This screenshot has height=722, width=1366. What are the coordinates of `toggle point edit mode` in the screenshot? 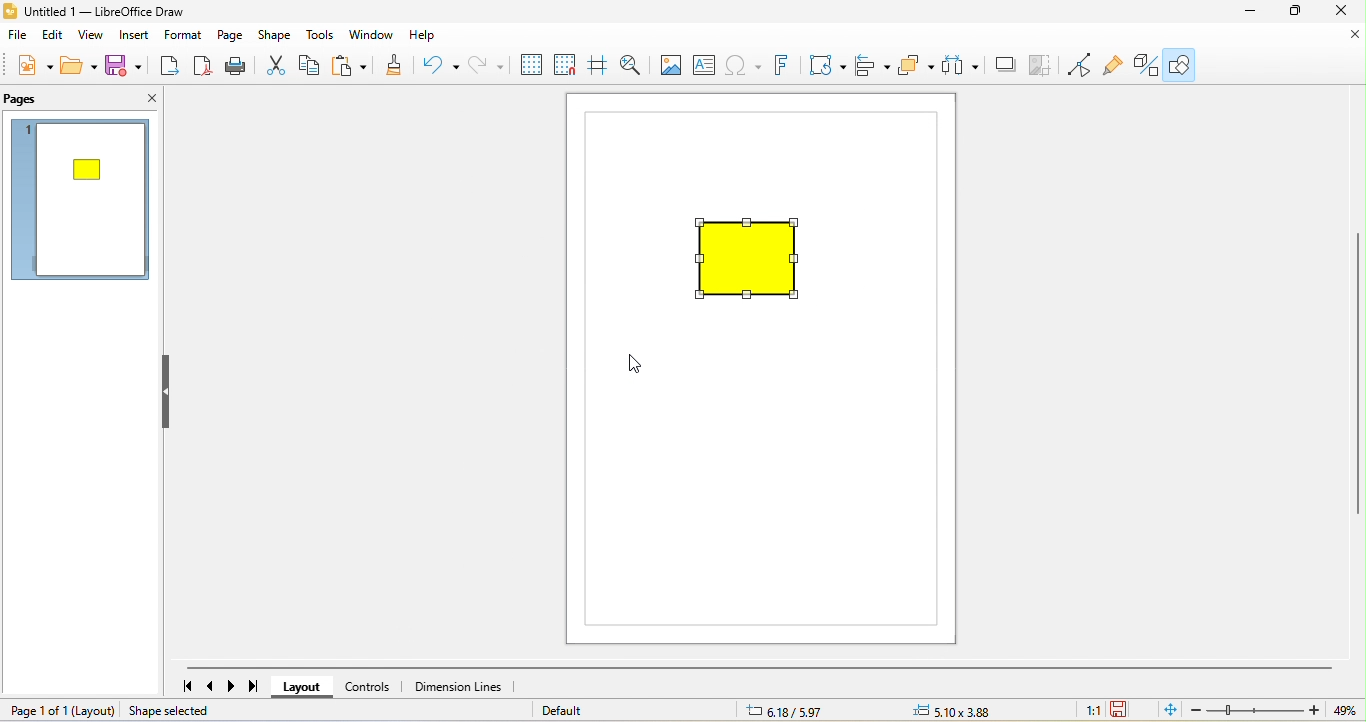 It's located at (1084, 65).